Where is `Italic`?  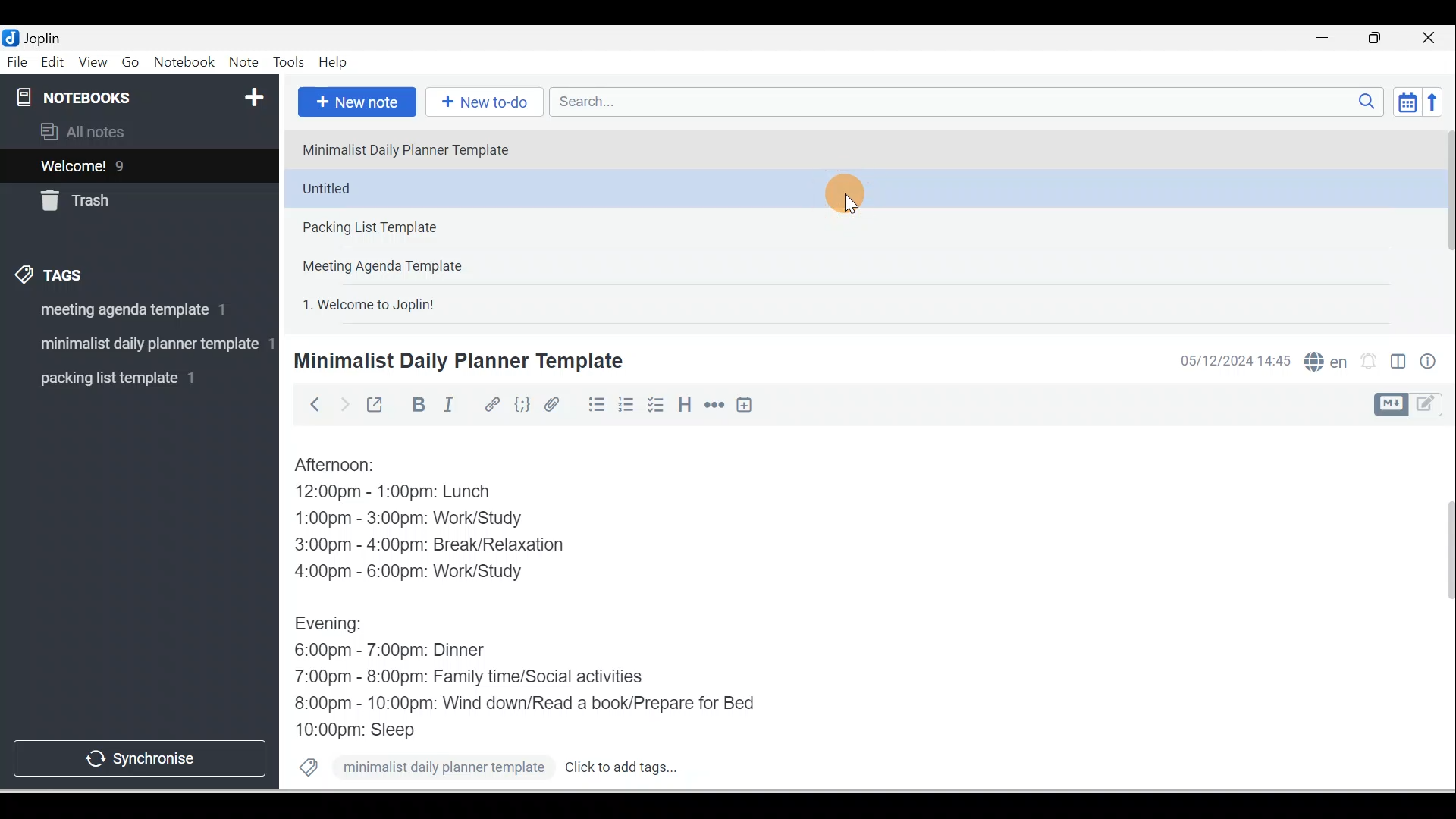
Italic is located at coordinates (451, 407).